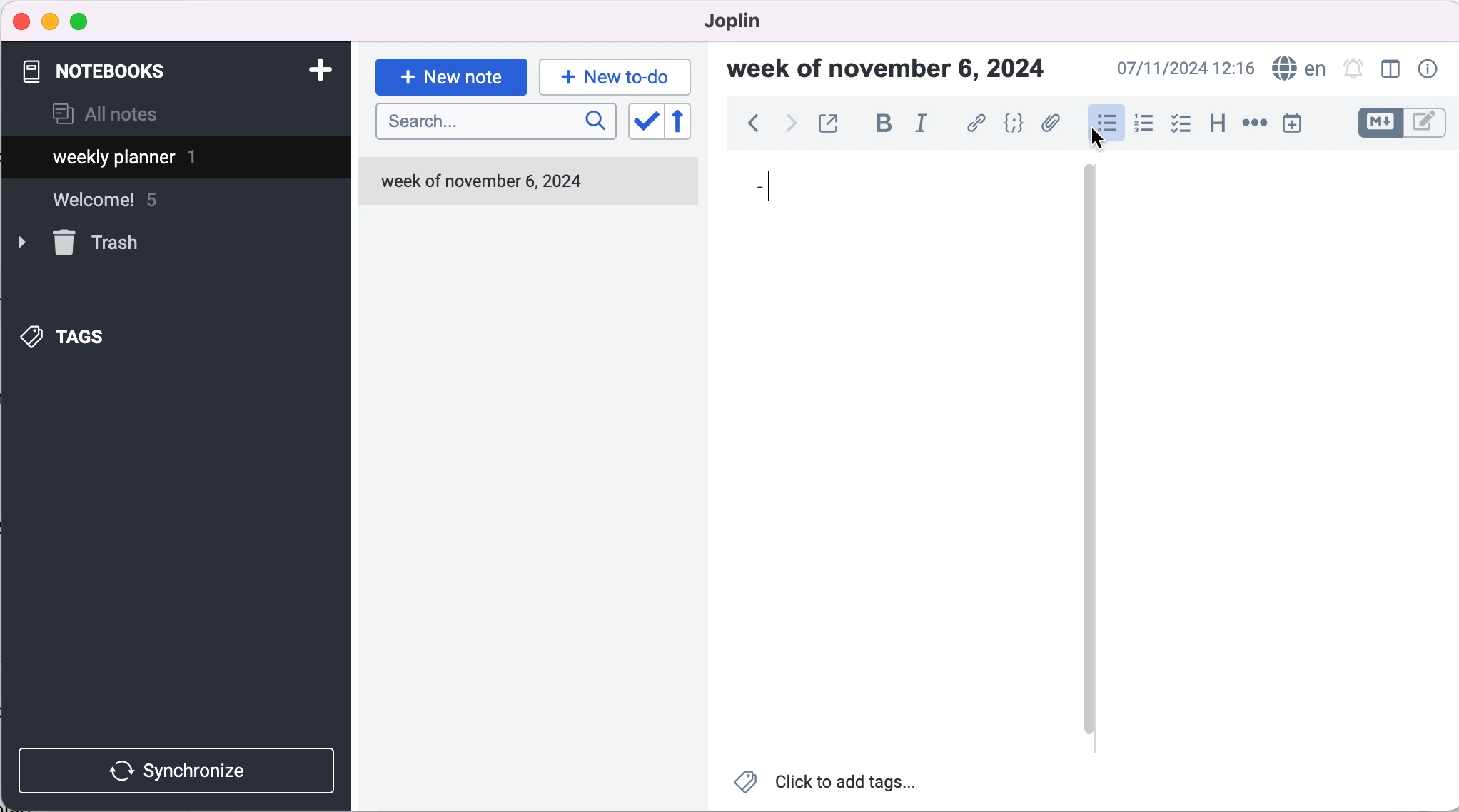  I want to click on blank canvas, so click(896, 457).